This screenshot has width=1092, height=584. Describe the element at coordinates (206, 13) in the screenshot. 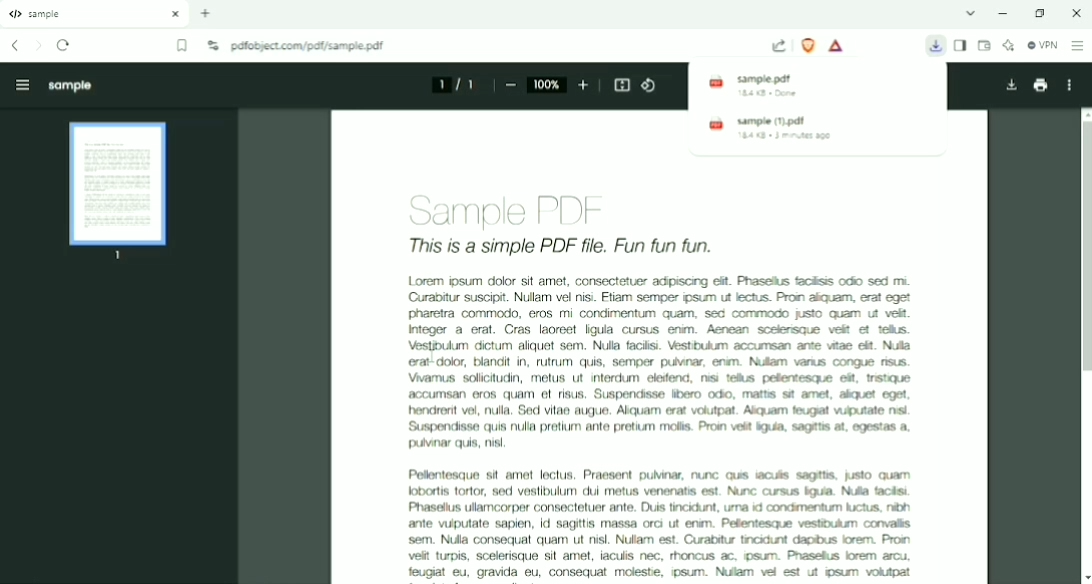

I see `New tab` at that location.